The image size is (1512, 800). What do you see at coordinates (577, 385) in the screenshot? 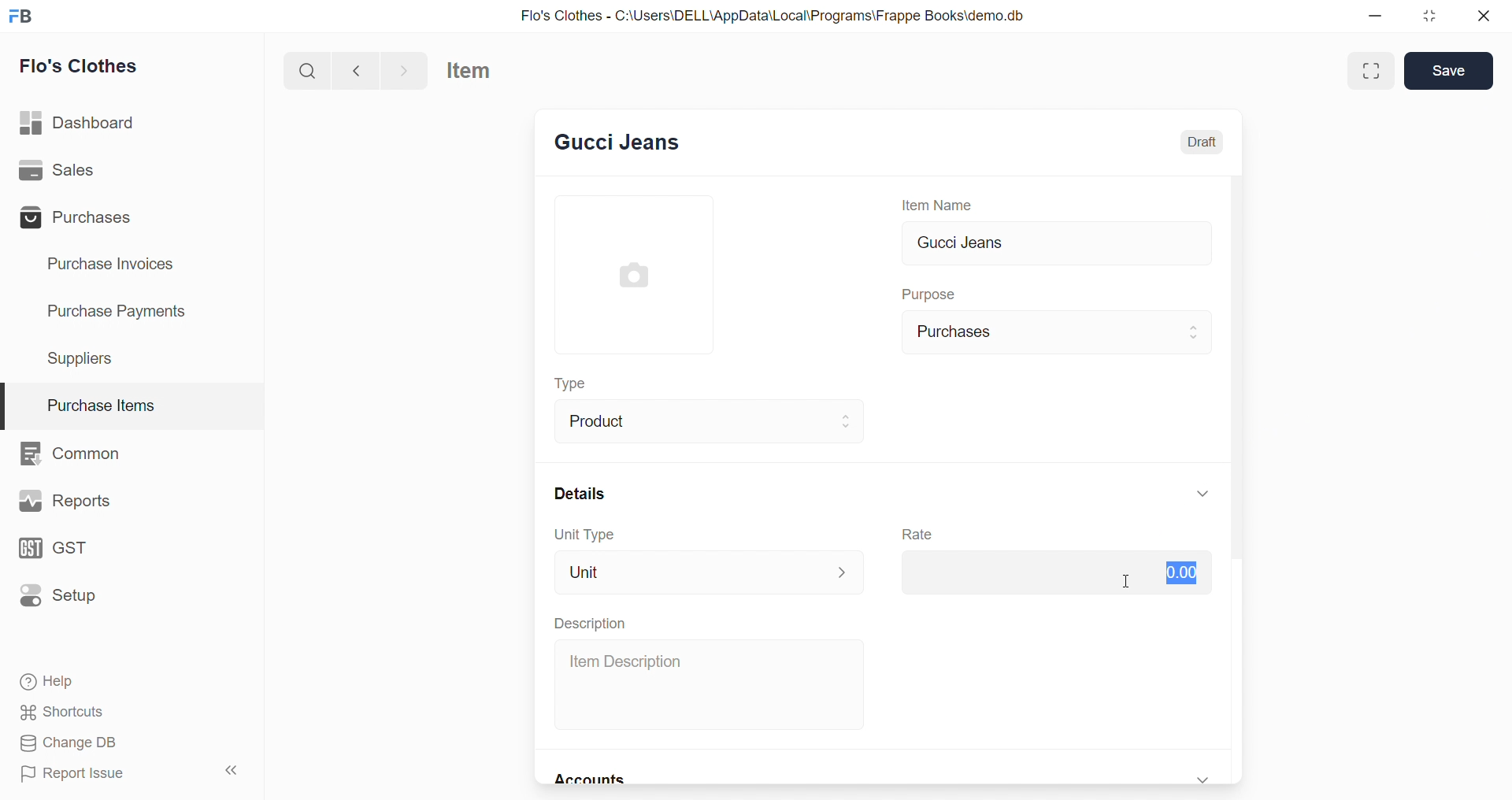
I see `Type` at bounding box center [577, 385].